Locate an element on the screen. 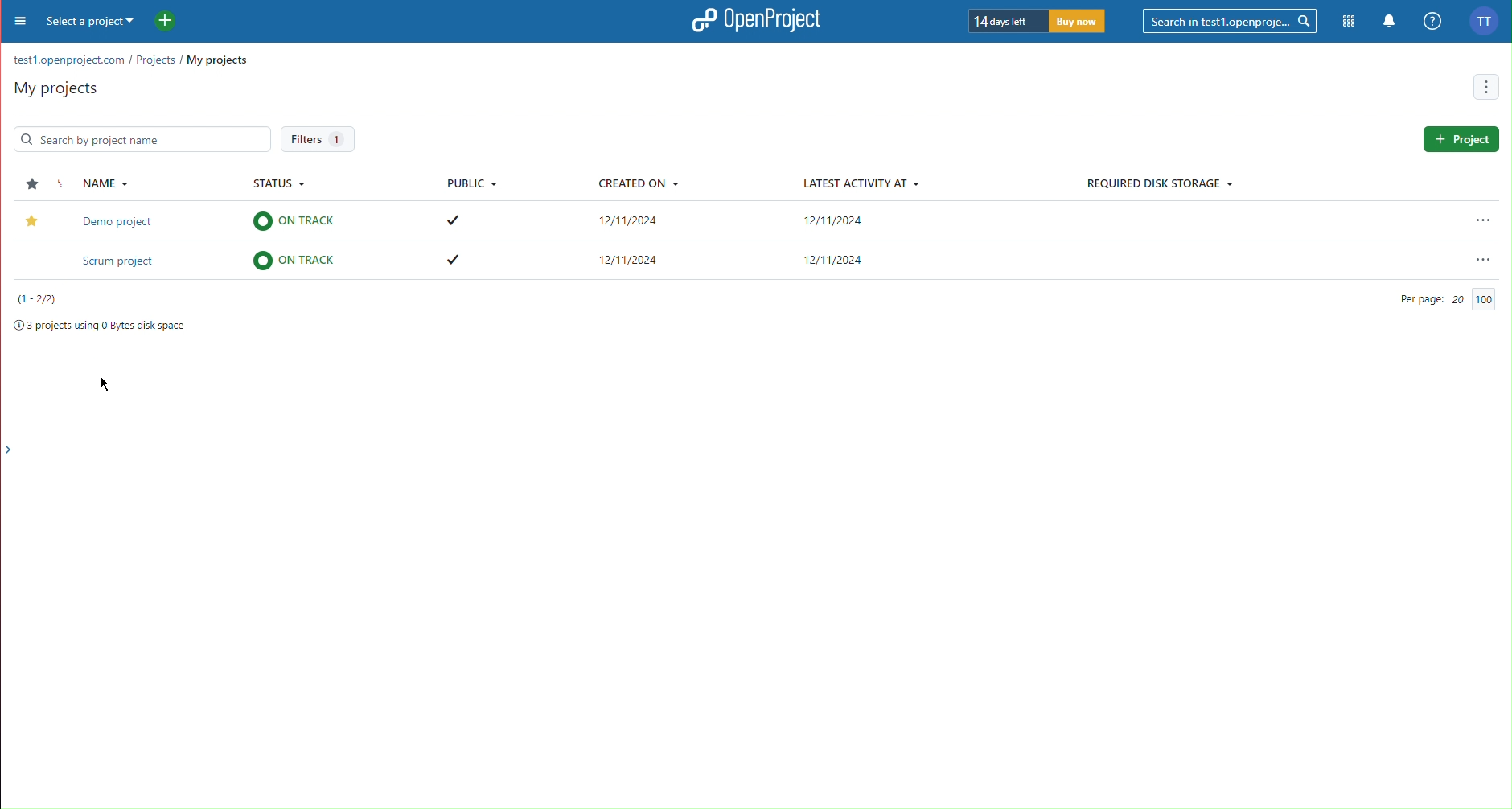 This screenshot has height=809, width=1512. Created On is located at coordinates (637, 186).